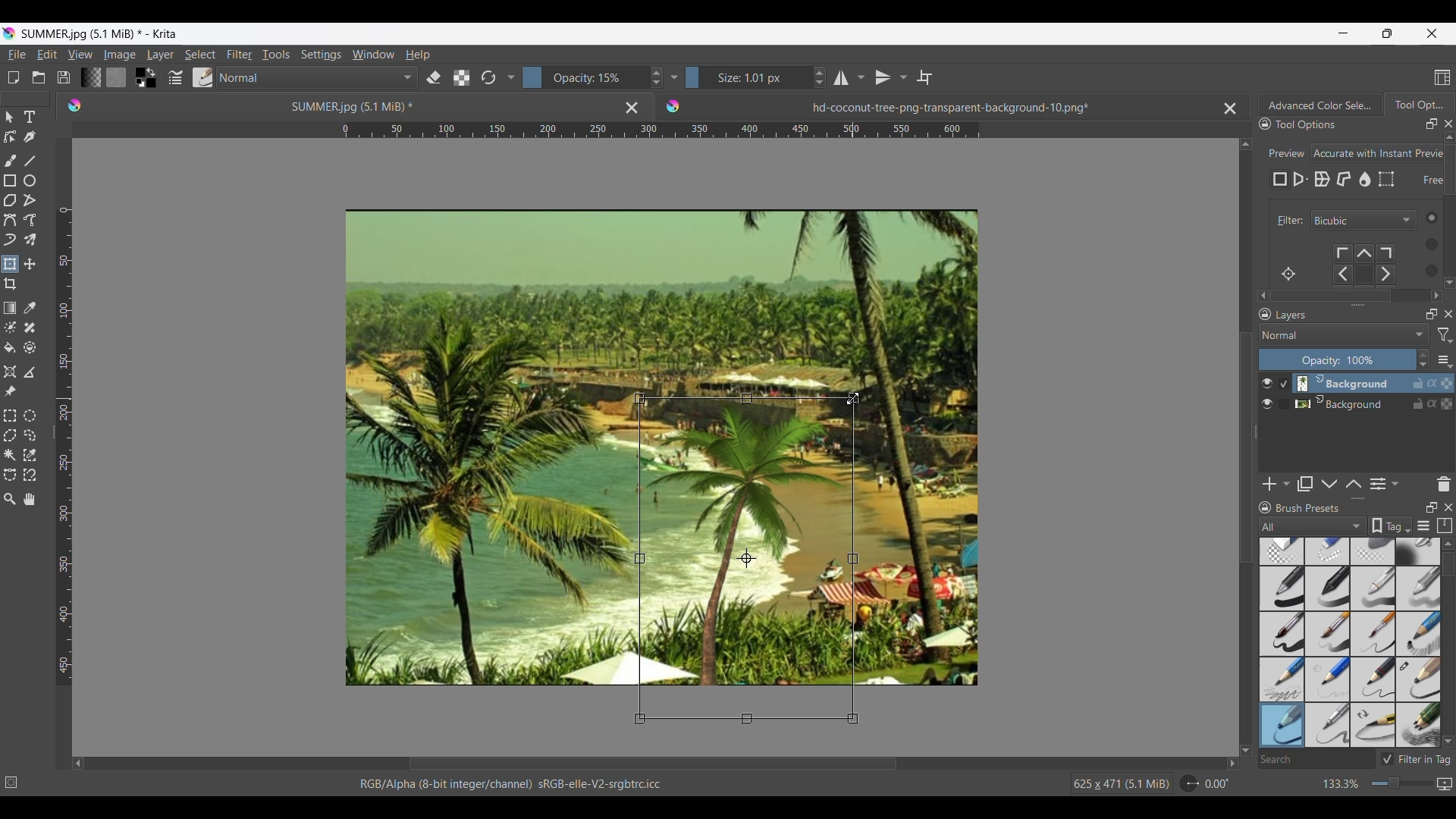 This screenshot has width=1456, height=819. Describe the element at coordinates (1322, 180) in the screenshot. I see `Warp` at that location.